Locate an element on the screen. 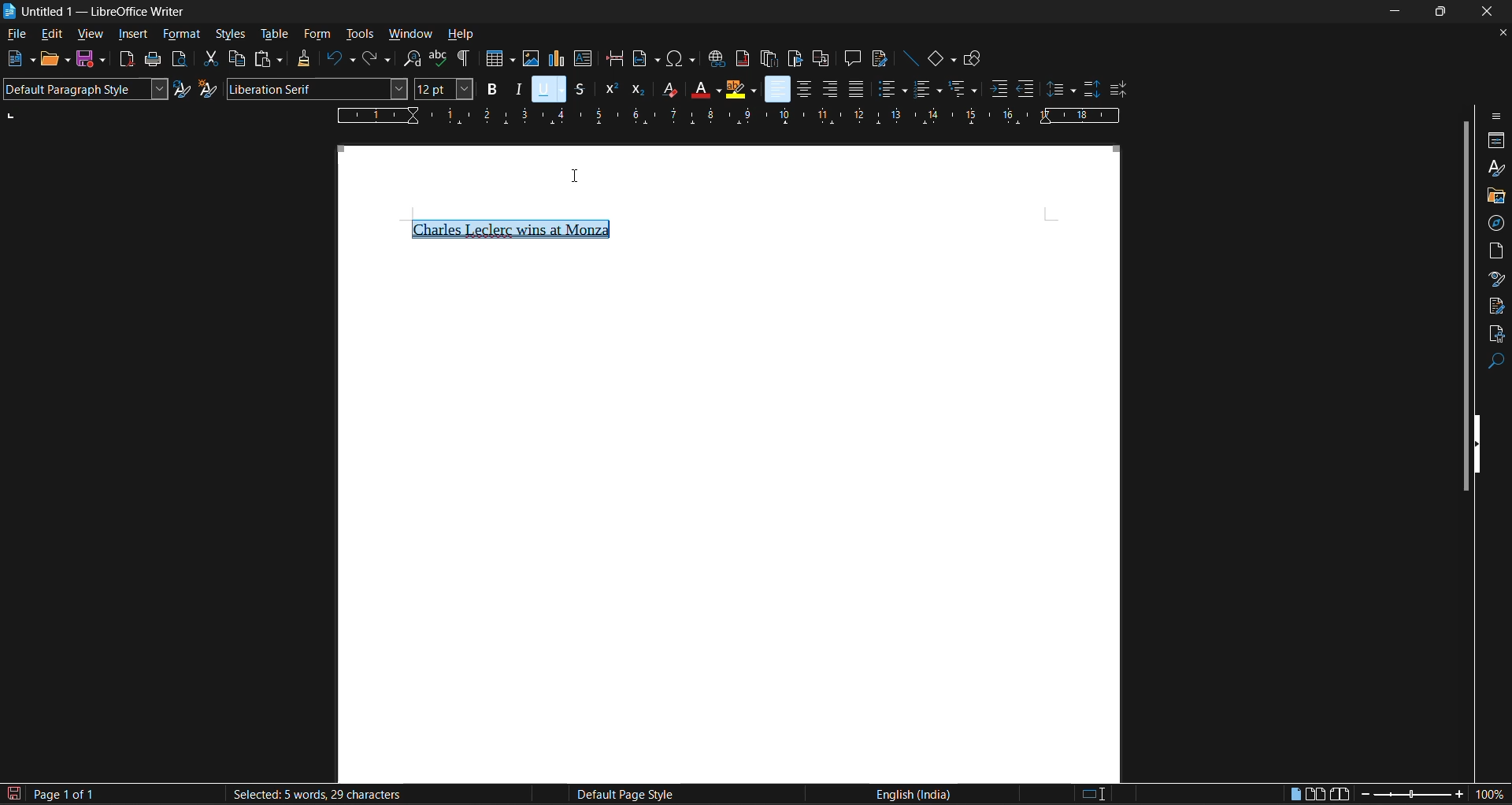 This screenshot has width=1512, height=805. check spelling is located at coordinates (439, 58).